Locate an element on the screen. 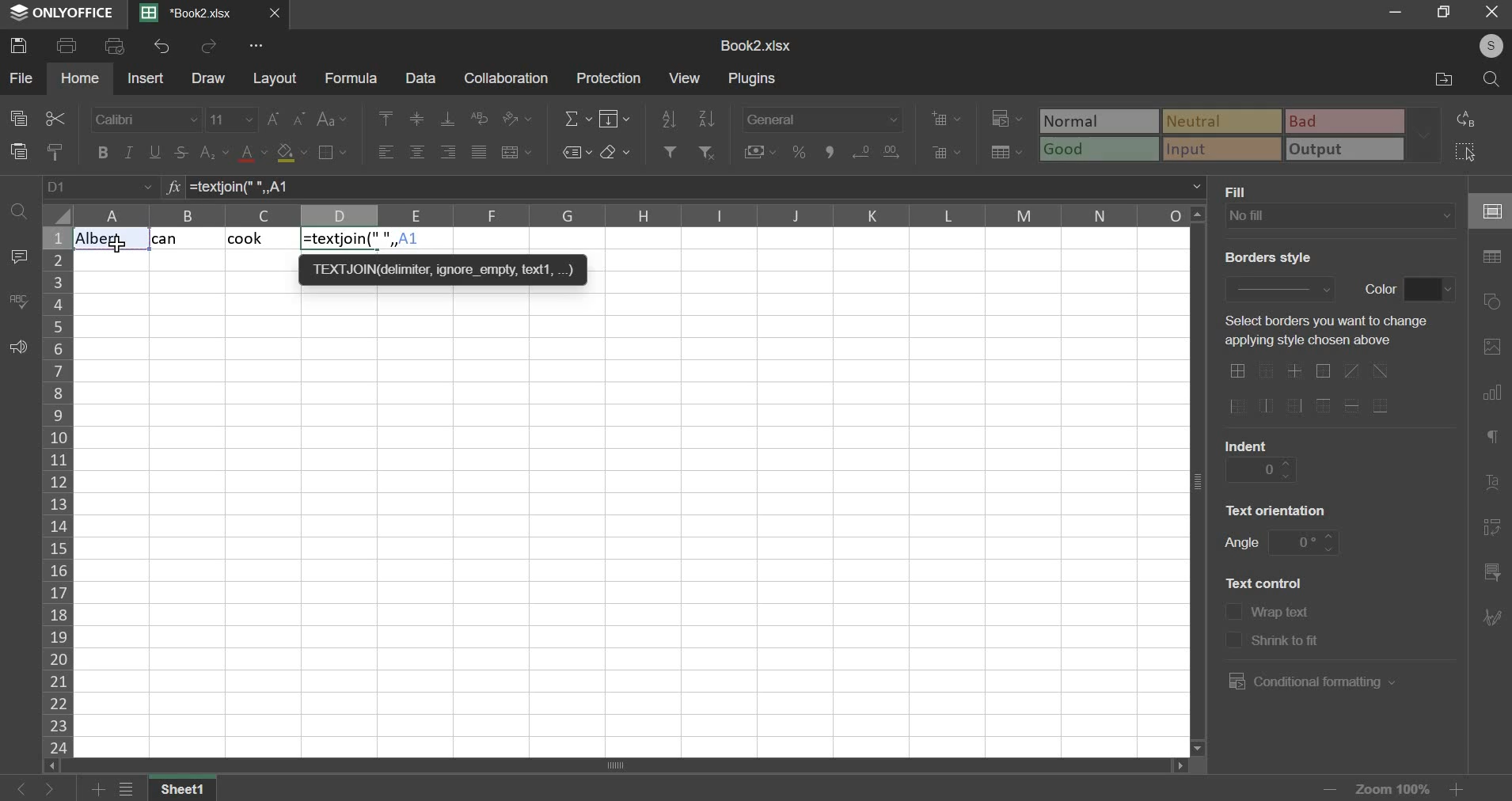 The image size is (1512, 801). find is located at coordinates (17, 209).